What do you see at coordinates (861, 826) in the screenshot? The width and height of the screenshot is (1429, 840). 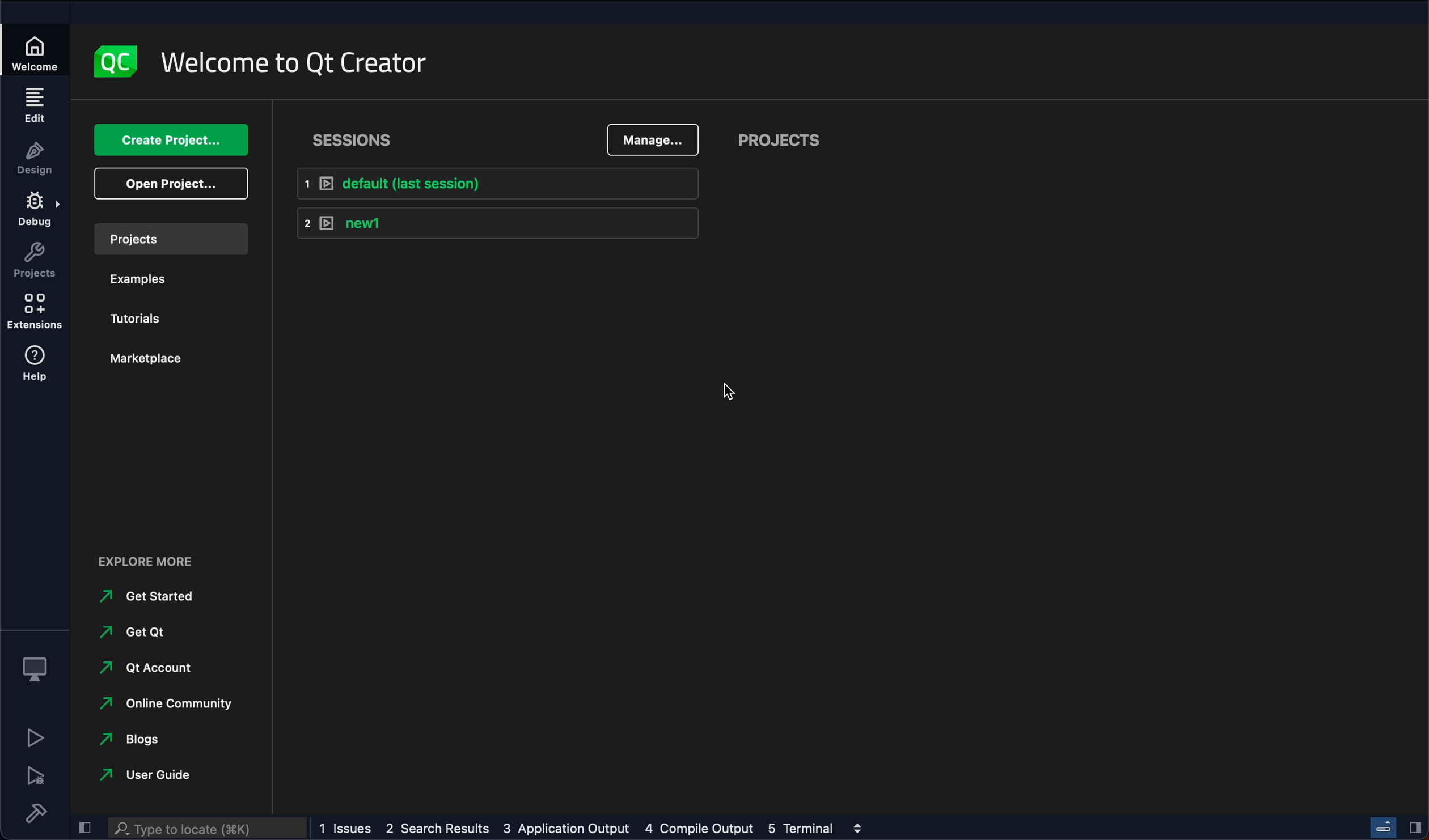 I see `view output` at bounding box center [861, 826].